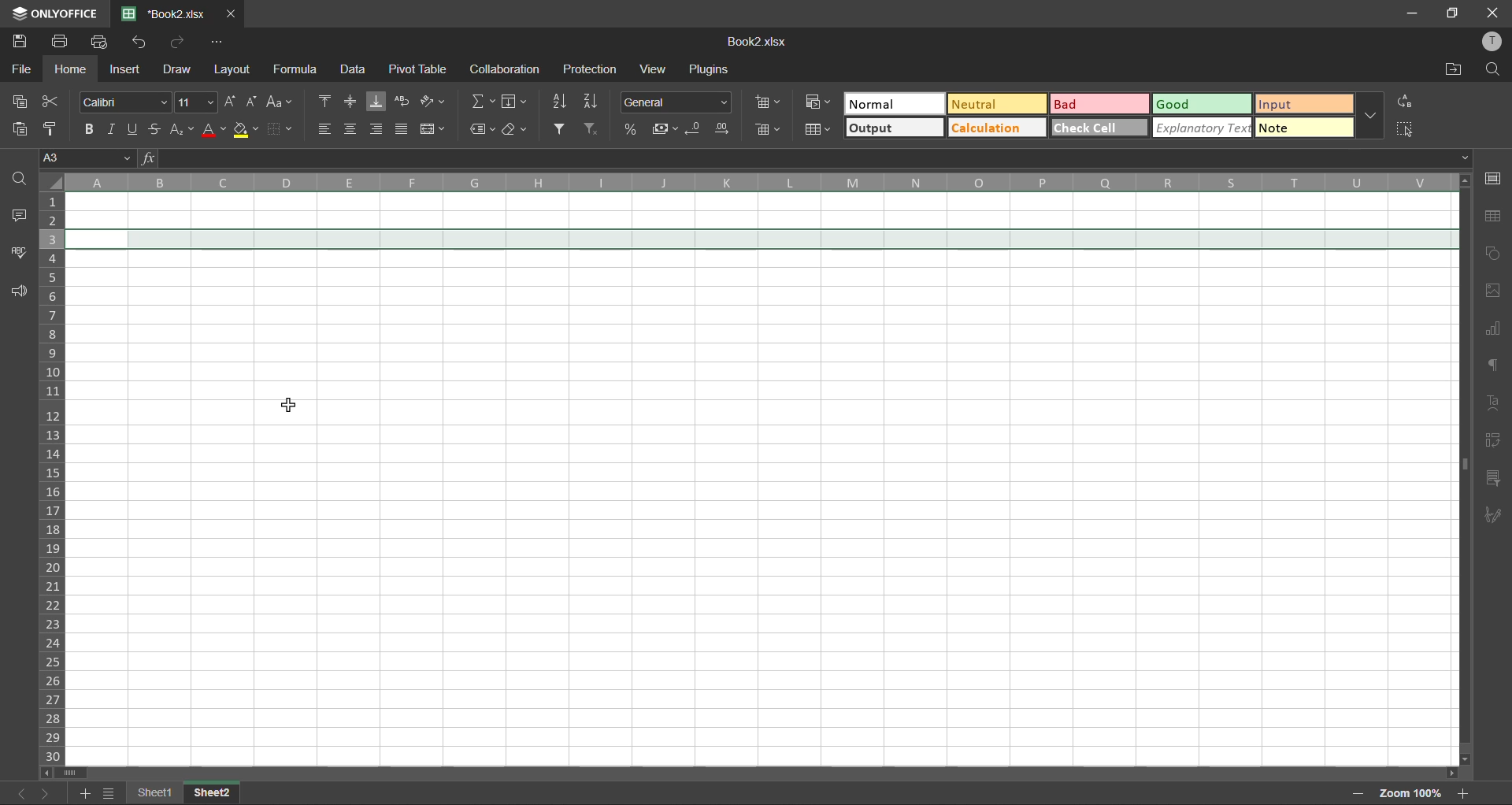 The width and height of the screenshot is (1512, 805). What do you see at coordinates (376, 100) in the screenshot?
I see `align bottom` at bounding box center [376, 100].